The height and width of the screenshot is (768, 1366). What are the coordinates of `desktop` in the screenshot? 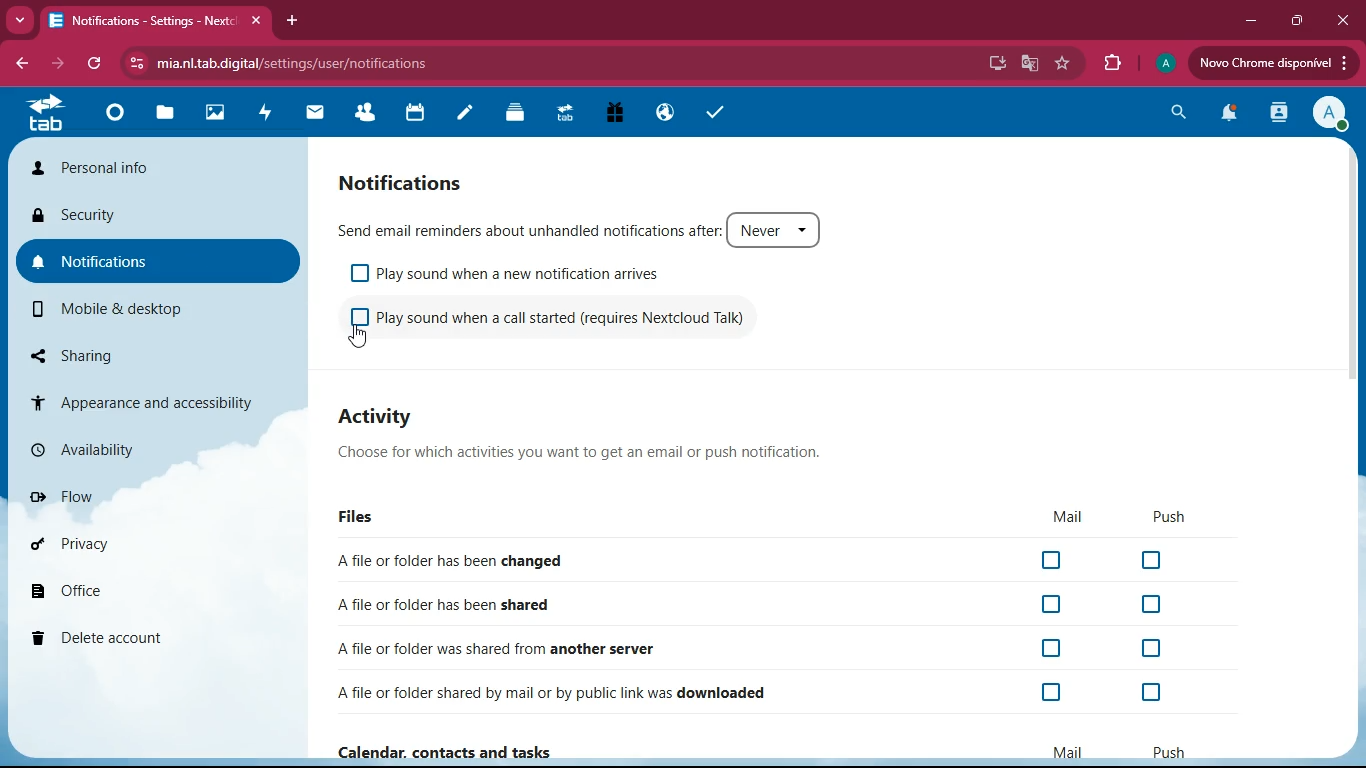 It's located at (994, 63).